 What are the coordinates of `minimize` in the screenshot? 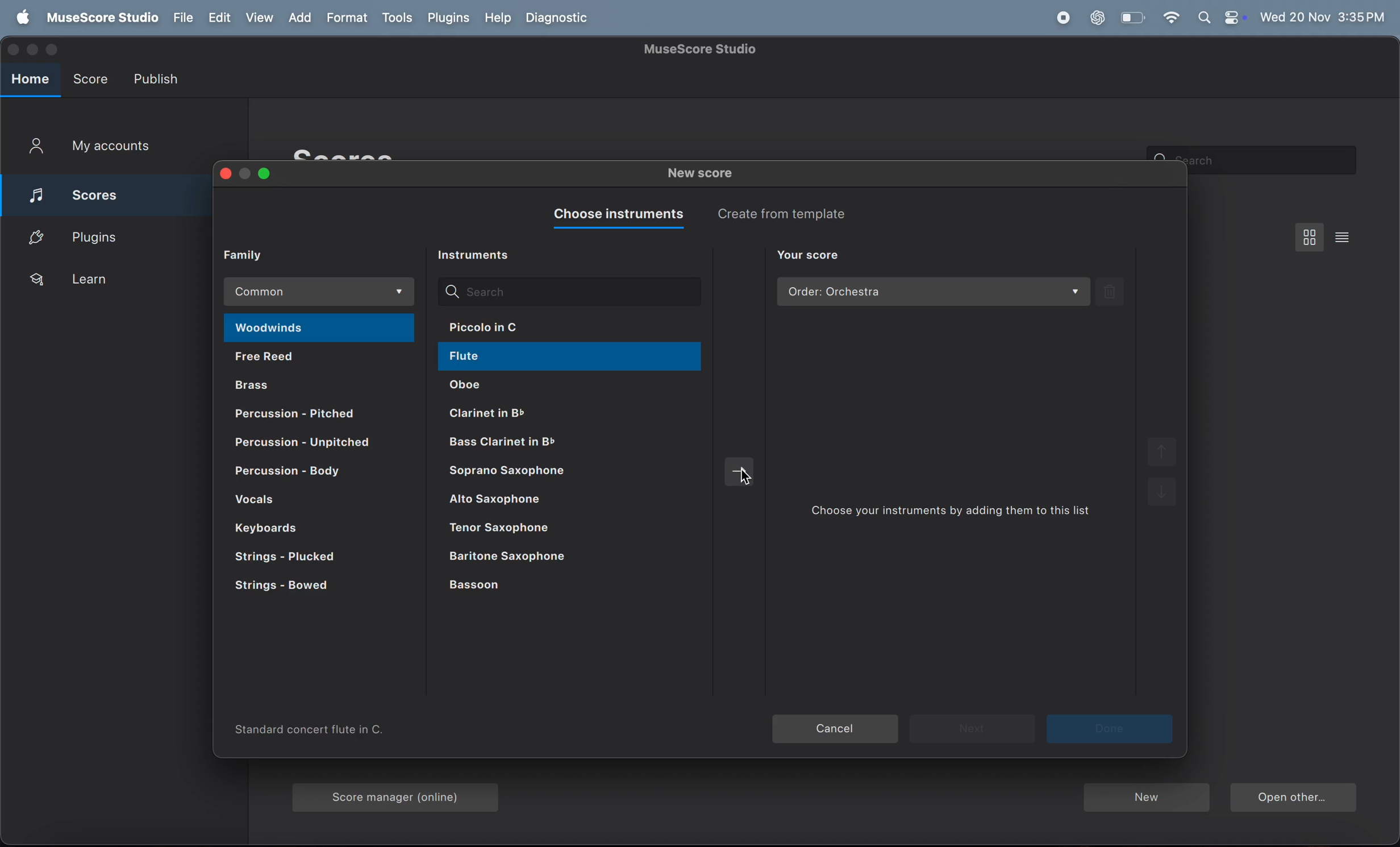 It's located at (35, 49).